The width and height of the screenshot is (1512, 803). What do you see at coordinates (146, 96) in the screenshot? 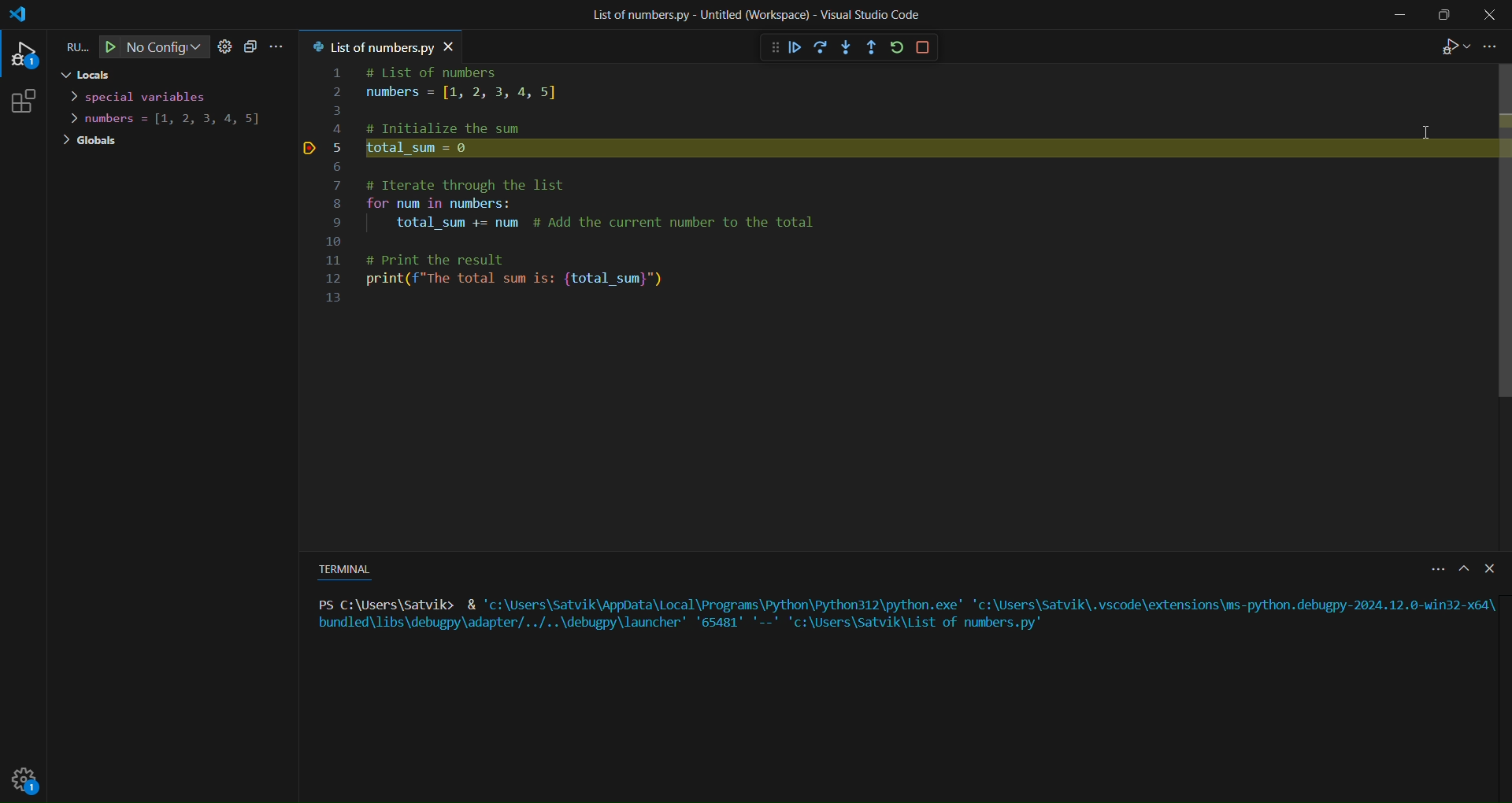
I see `special variables` at bounding box center [146, 96].